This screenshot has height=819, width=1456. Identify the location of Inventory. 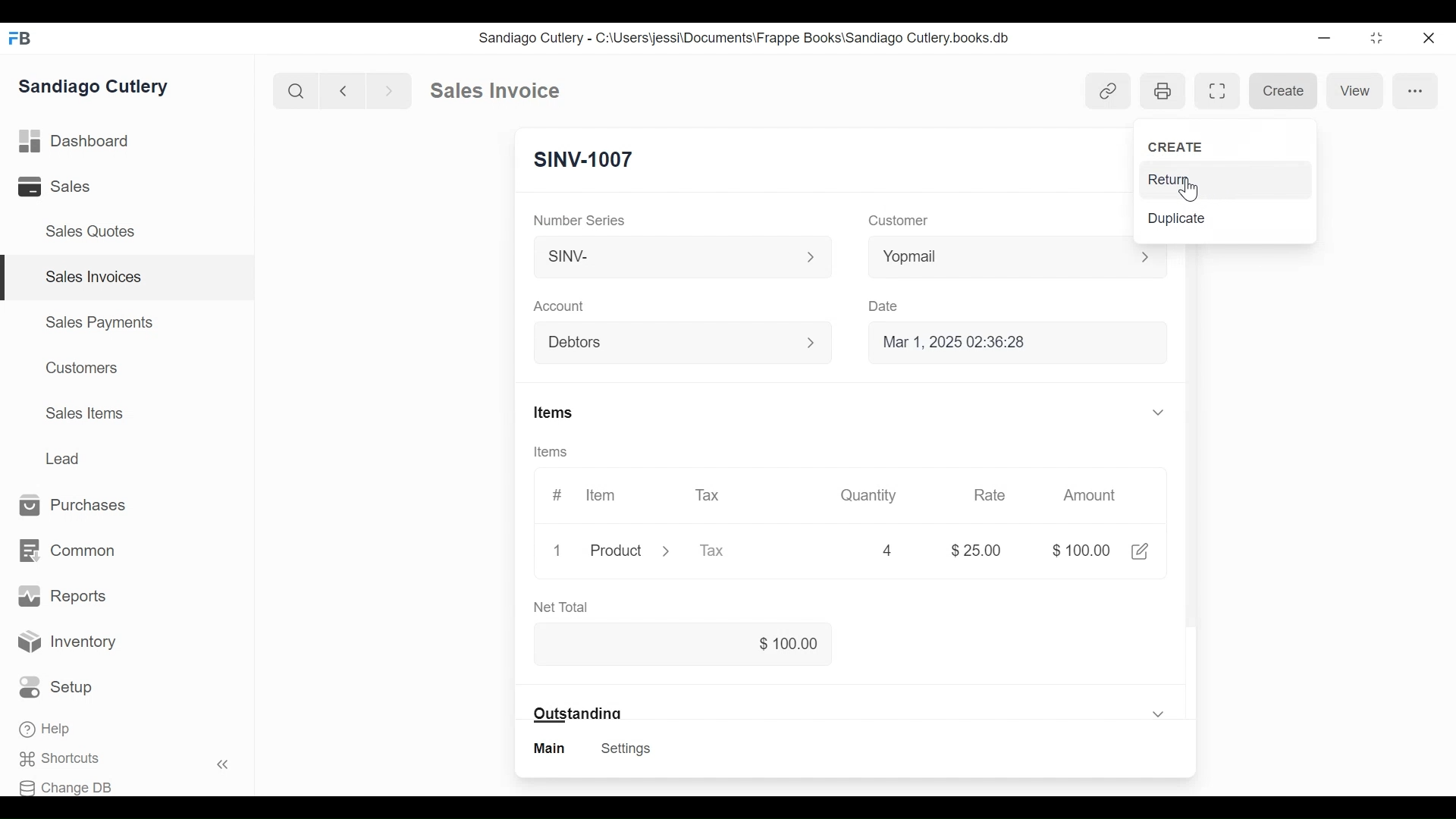
(65, 639).